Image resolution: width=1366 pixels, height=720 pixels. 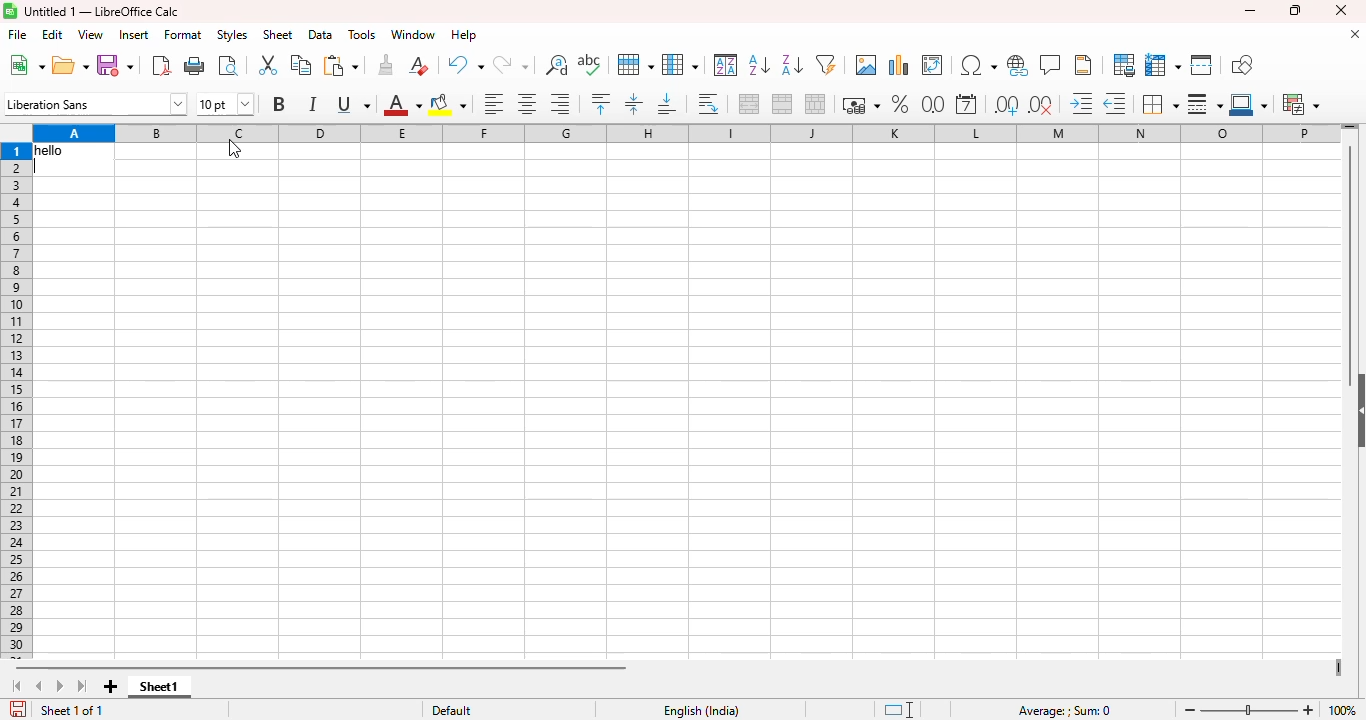 What do you see at coordinates (10, 11) in the screenshot?
I see `logo` at bounding box center [10, 11].